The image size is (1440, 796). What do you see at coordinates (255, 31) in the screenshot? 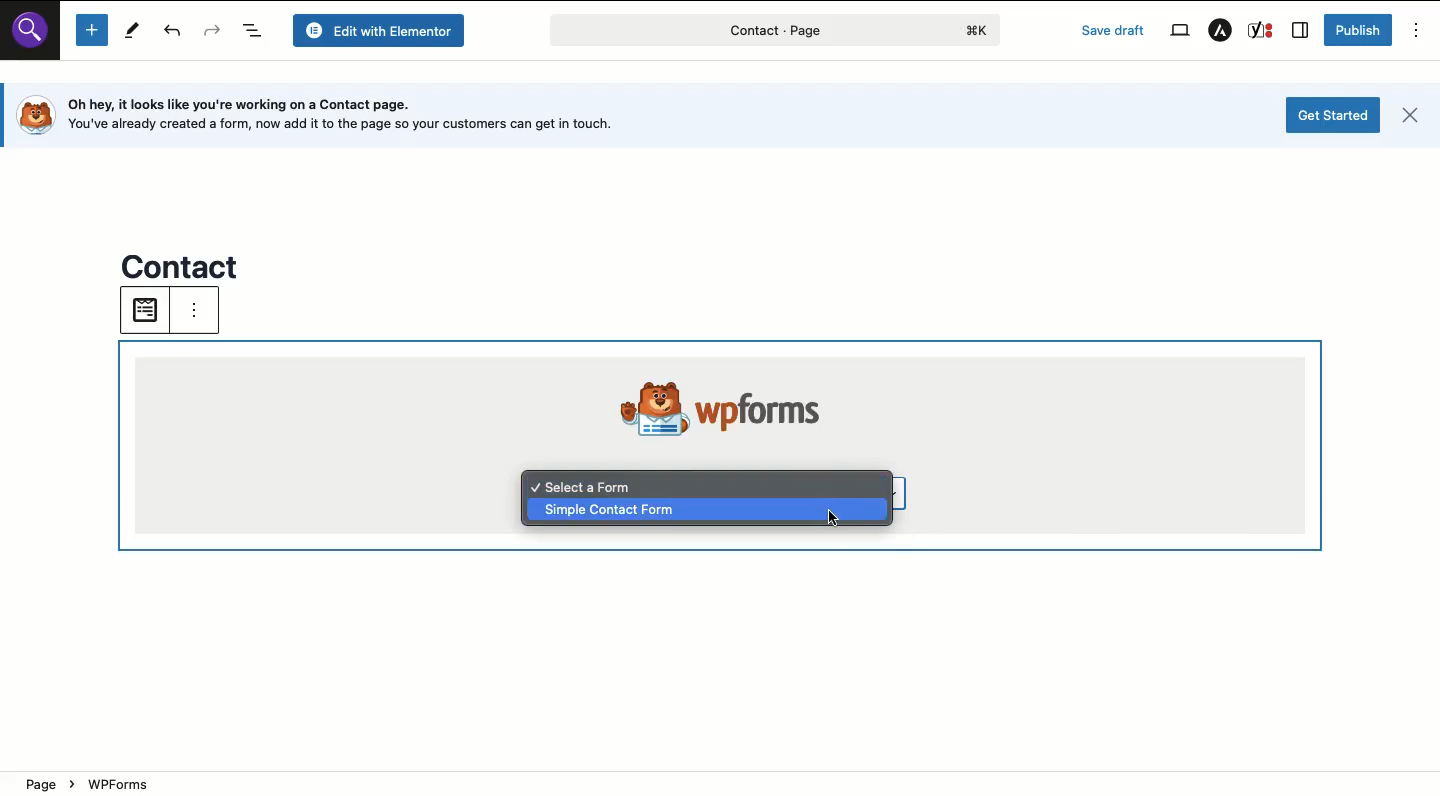
I see `Document overview` at bounding box center [255, 31].